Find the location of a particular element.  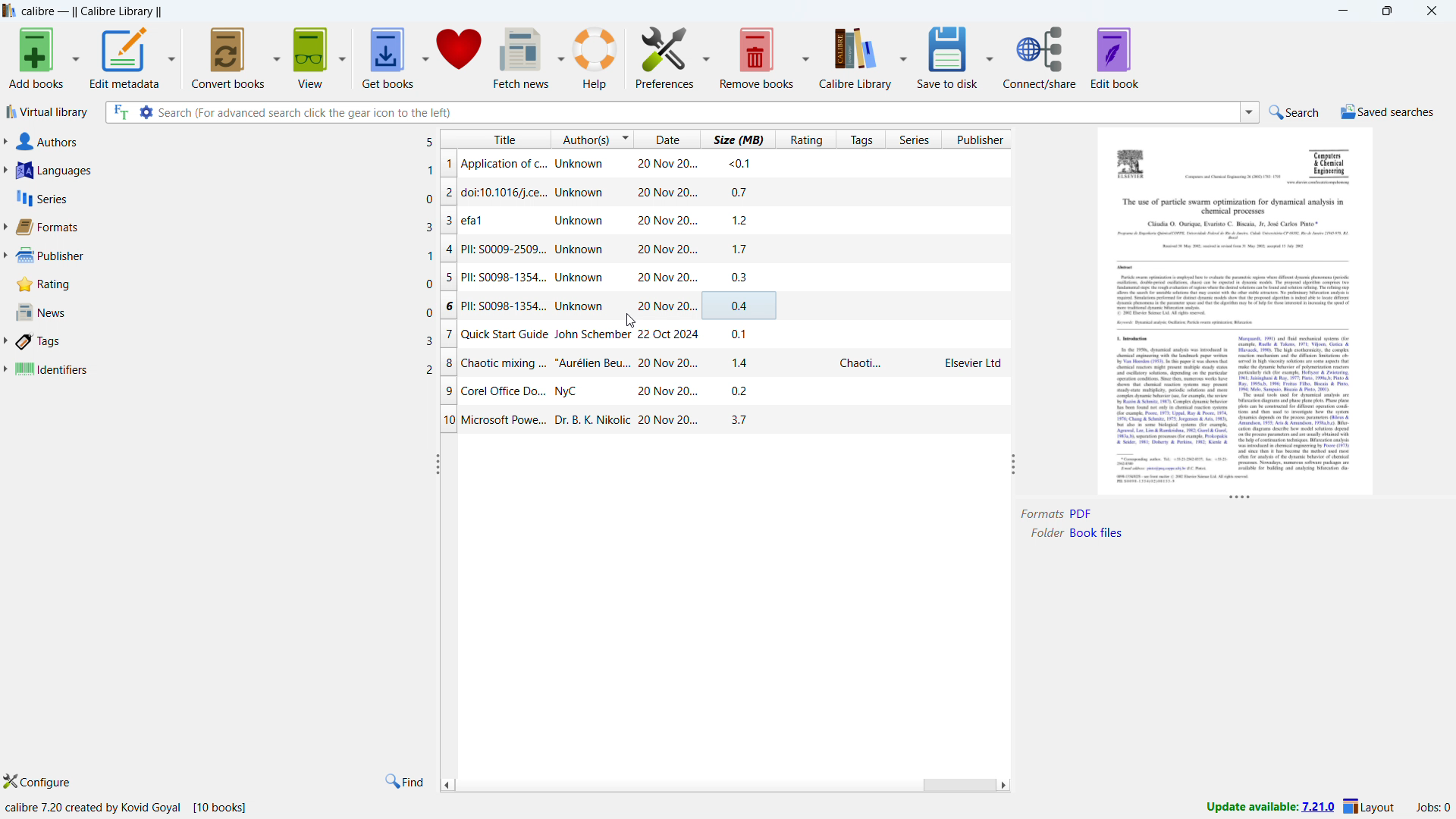

calibre library options is located at coordinates (902, 56).